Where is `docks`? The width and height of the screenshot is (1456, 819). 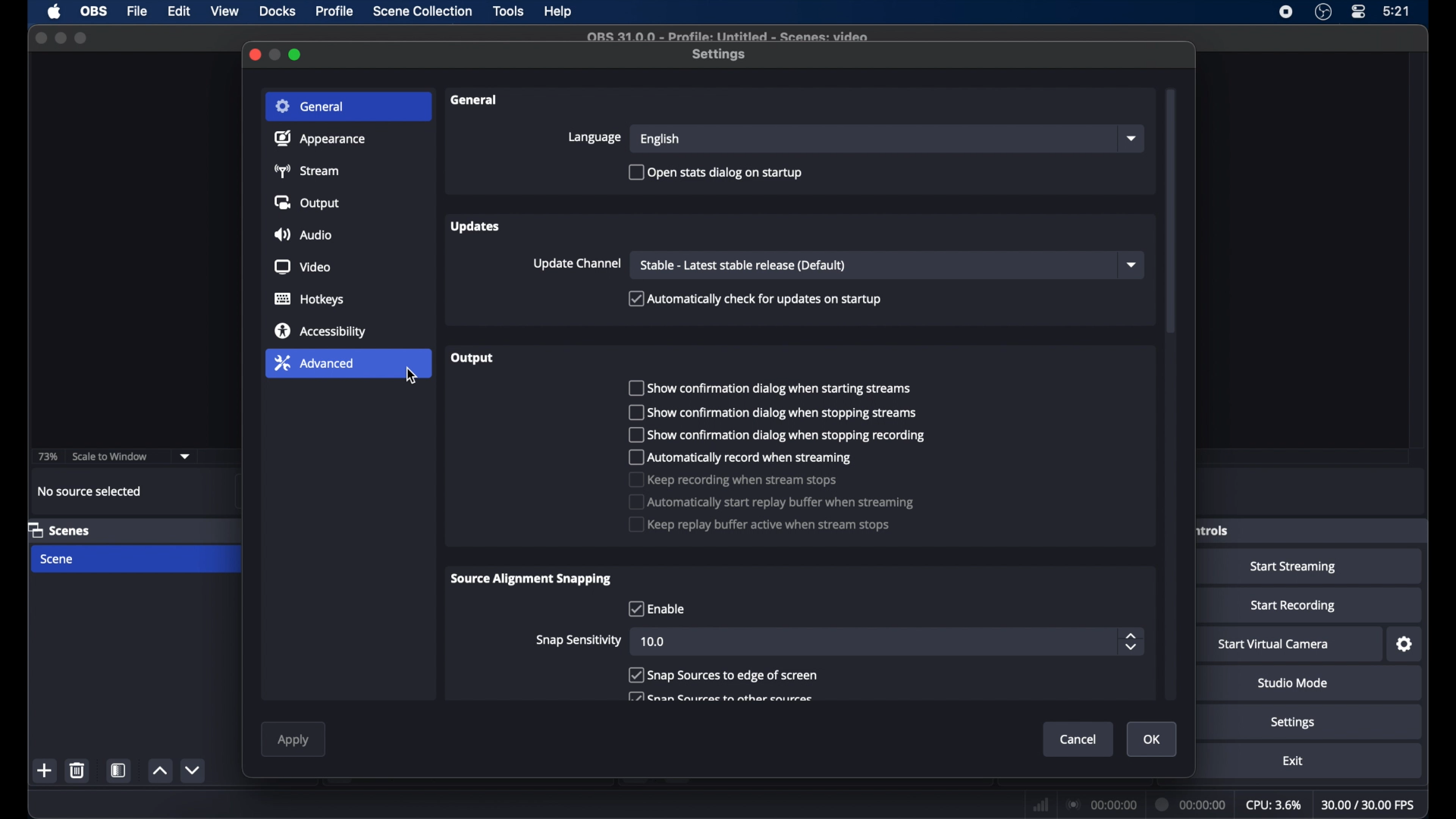 docks is located at coordinates (278, 11).